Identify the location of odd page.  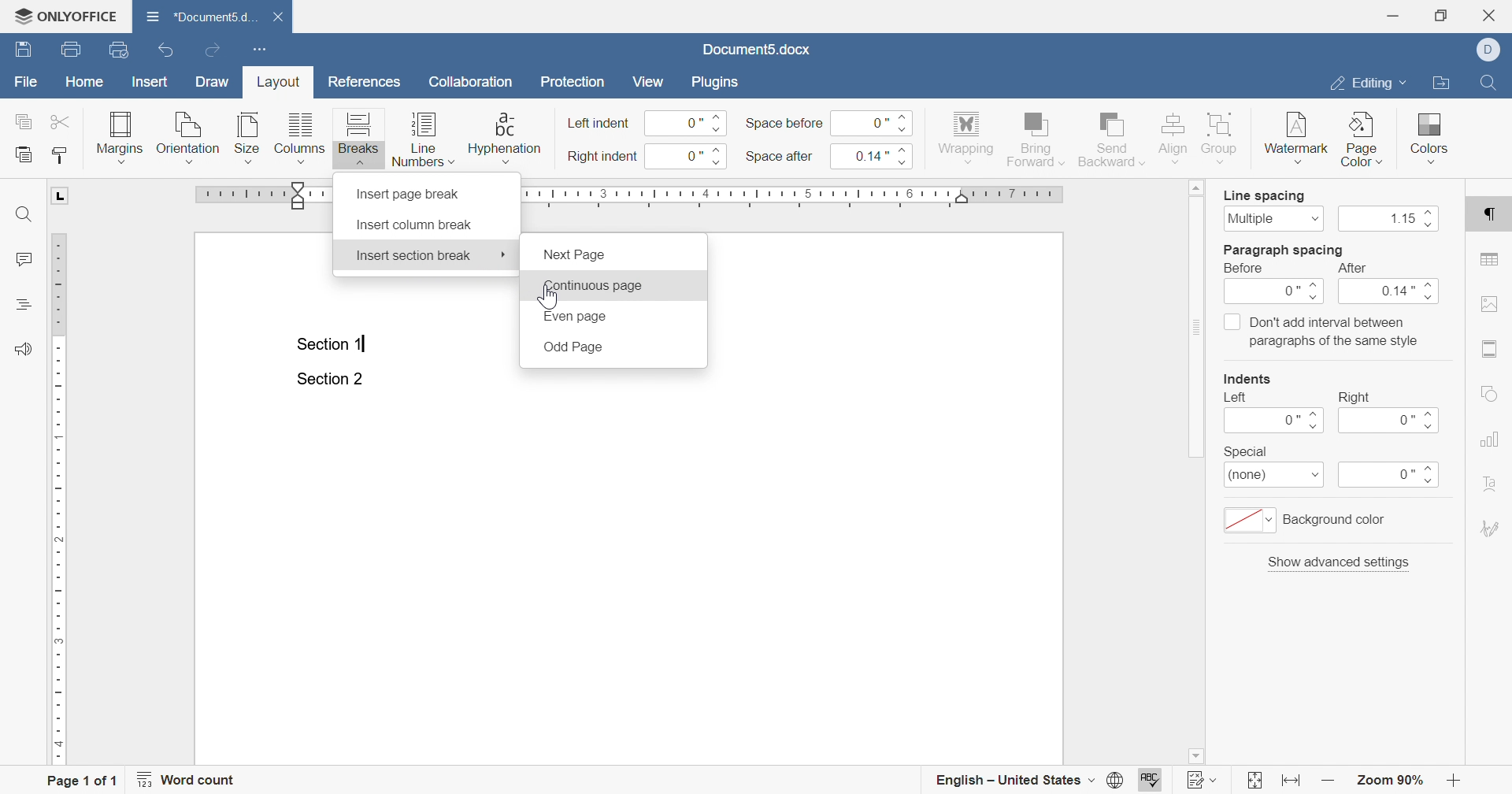
(573, 347).